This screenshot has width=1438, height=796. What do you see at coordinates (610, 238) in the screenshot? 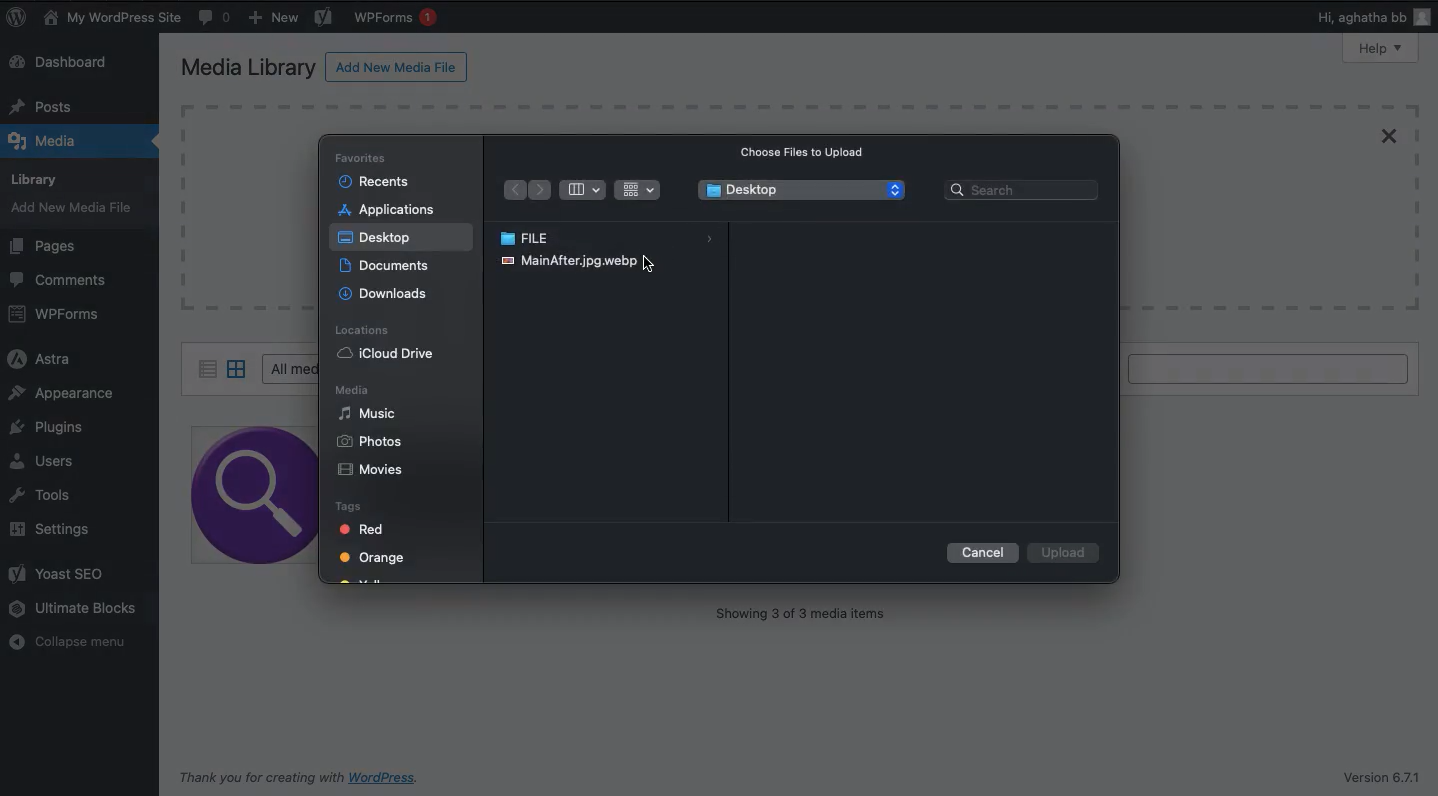
I see `File` at bounding box center [610, 238].